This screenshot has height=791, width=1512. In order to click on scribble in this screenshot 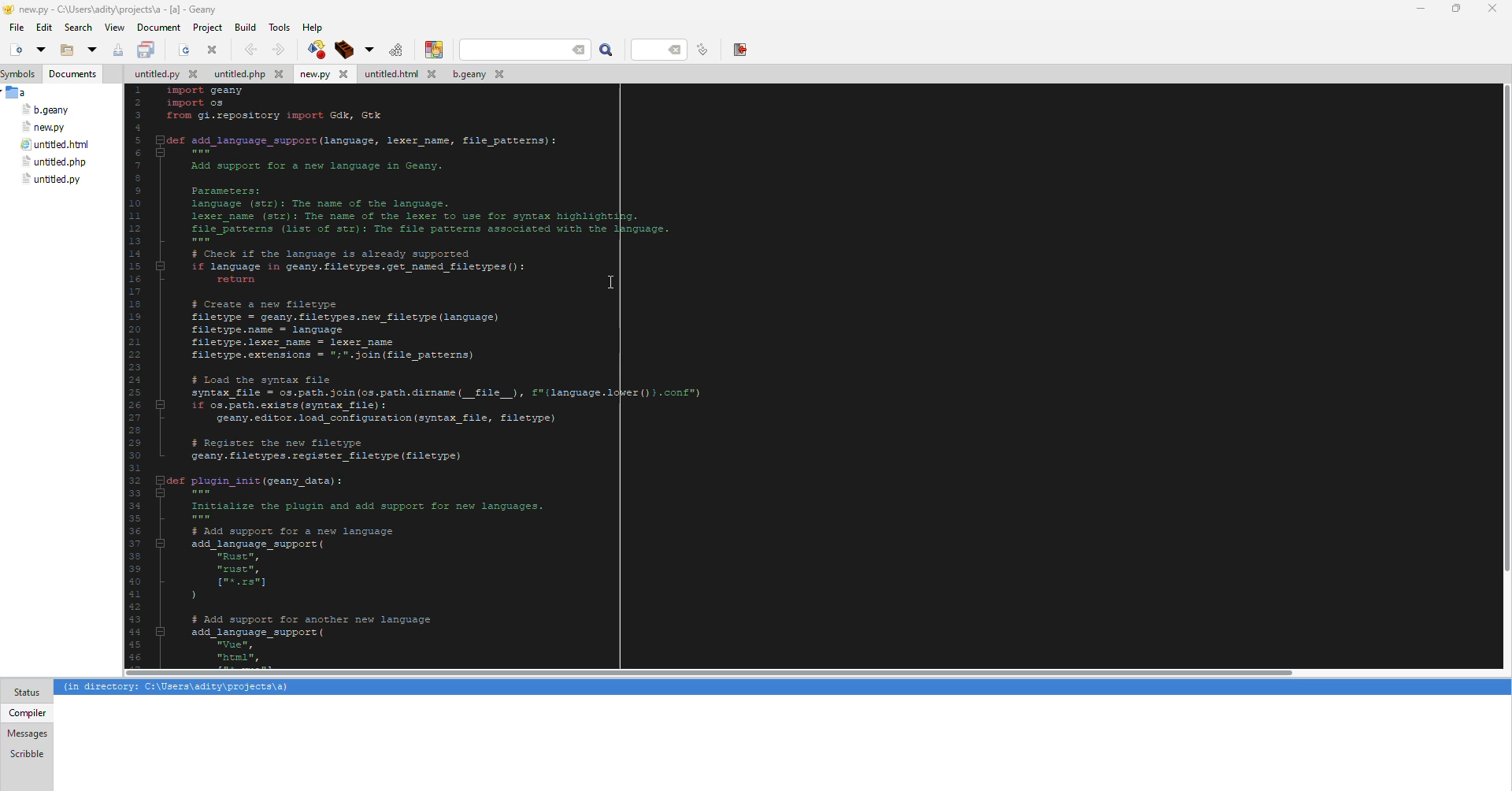, I will do `click(28, 753)`.